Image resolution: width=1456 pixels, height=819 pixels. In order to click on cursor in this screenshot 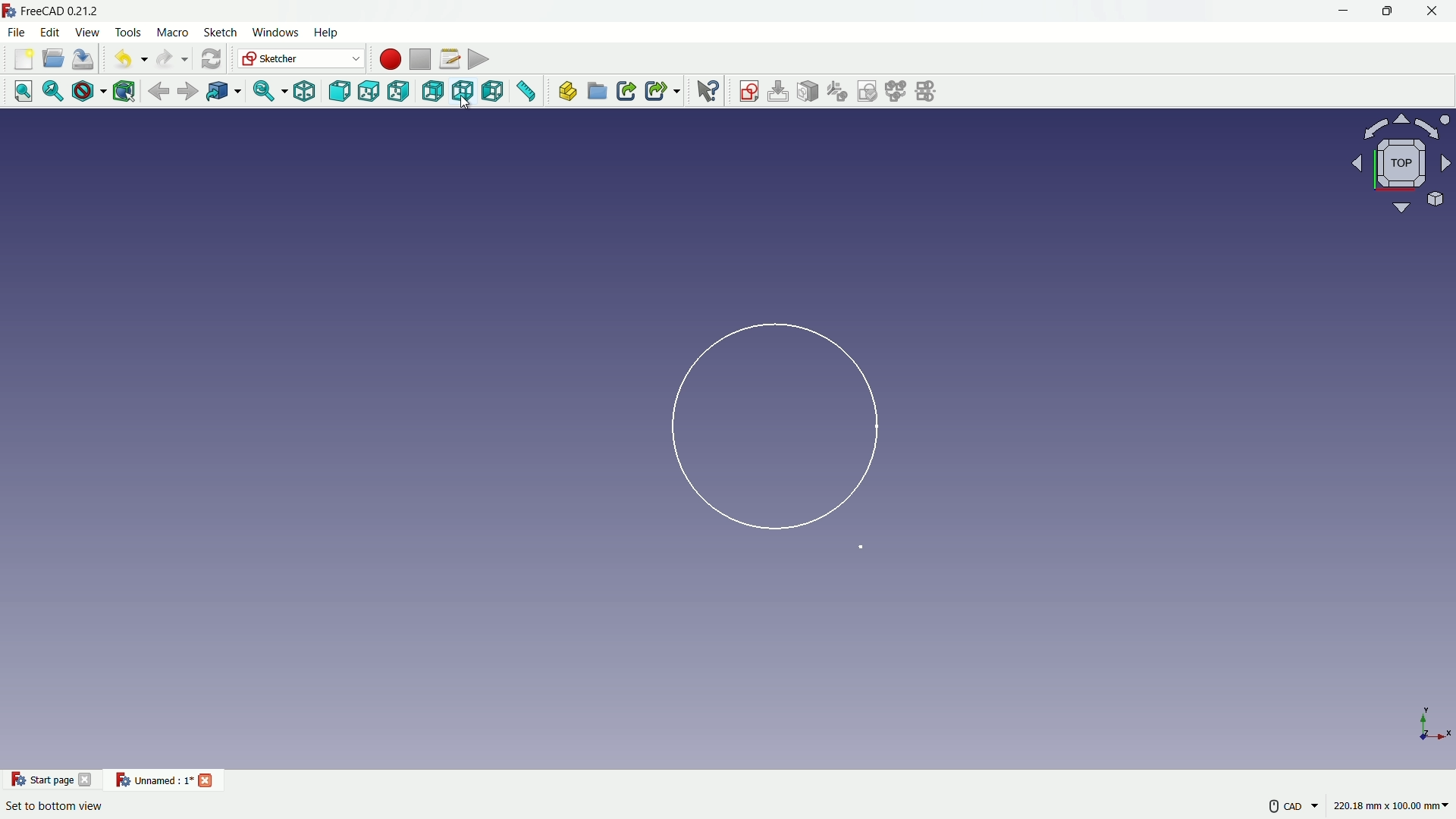, I will do `click(467, 107)`.